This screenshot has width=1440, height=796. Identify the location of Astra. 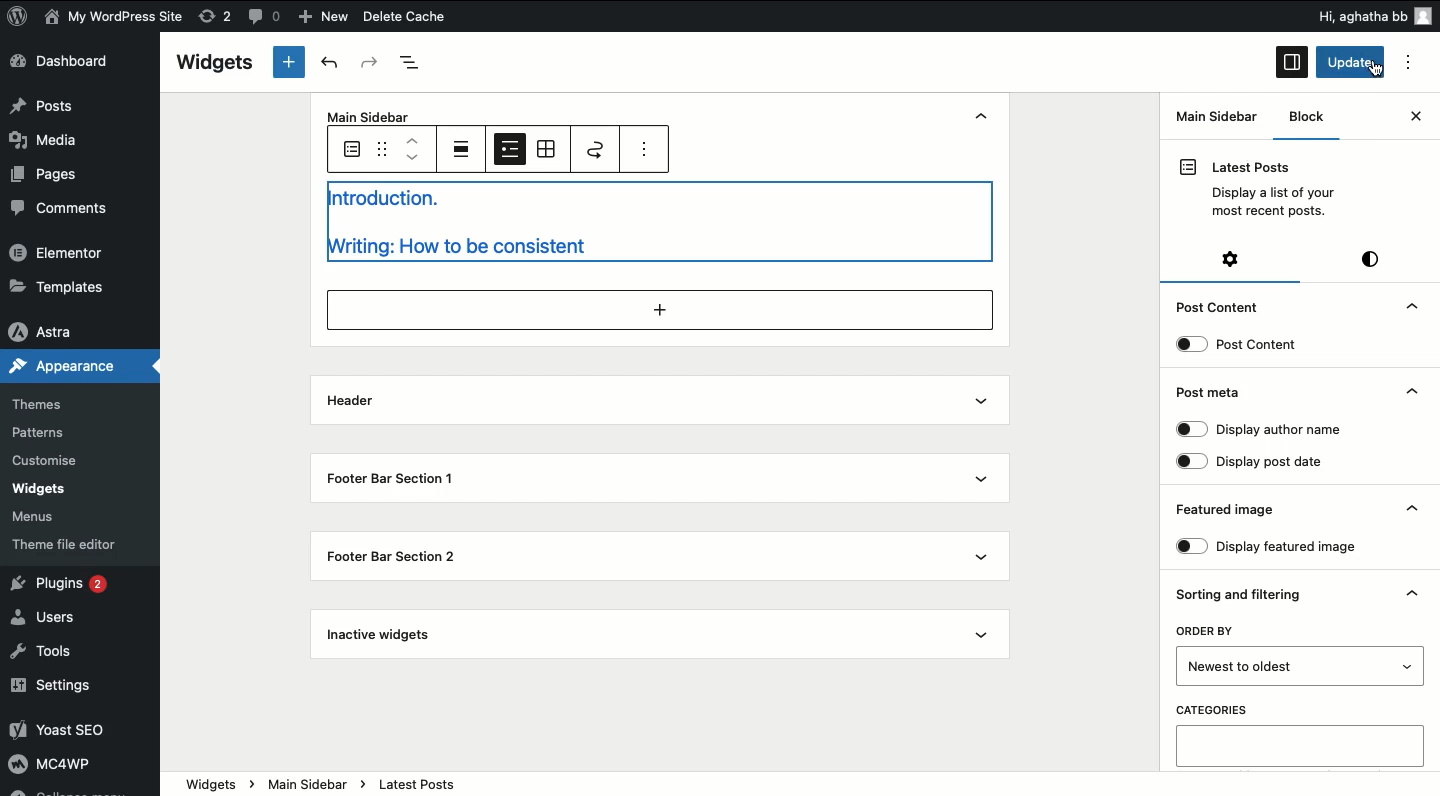
(51, 329).